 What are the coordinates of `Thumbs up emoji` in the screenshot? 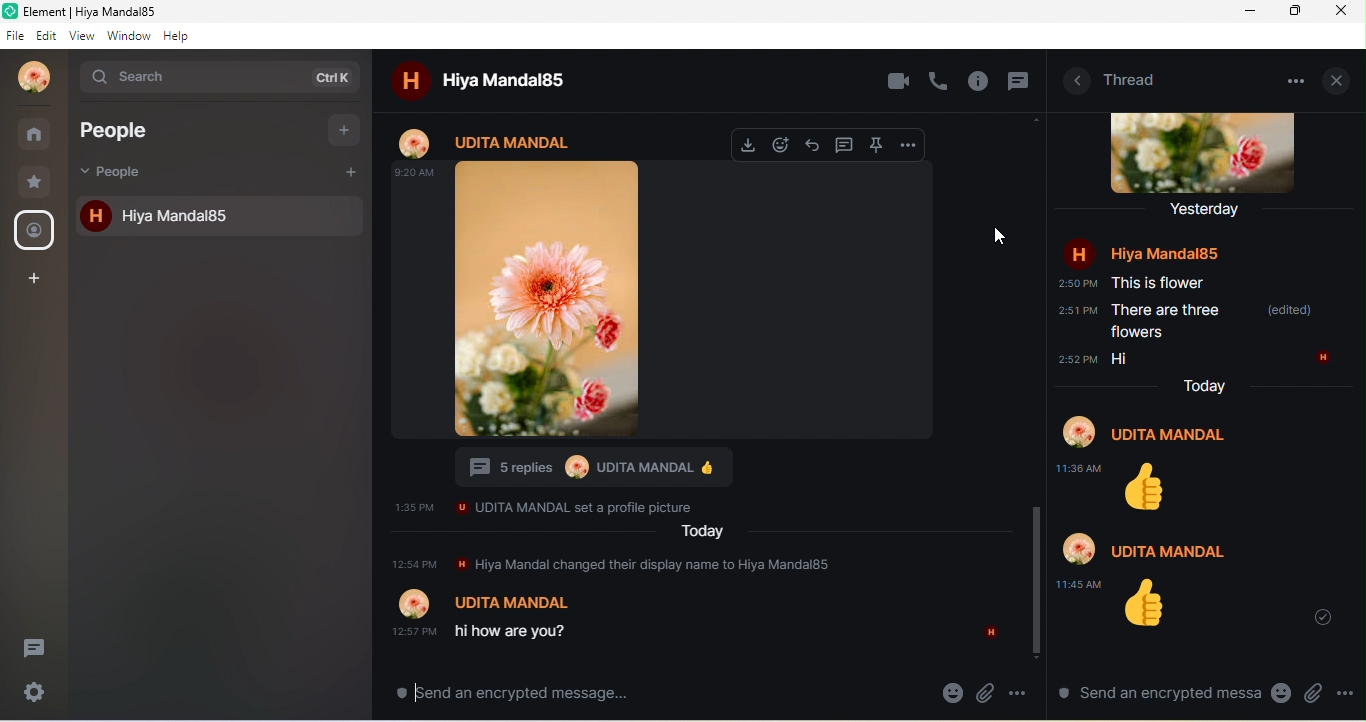 It's located at (1150, 488).